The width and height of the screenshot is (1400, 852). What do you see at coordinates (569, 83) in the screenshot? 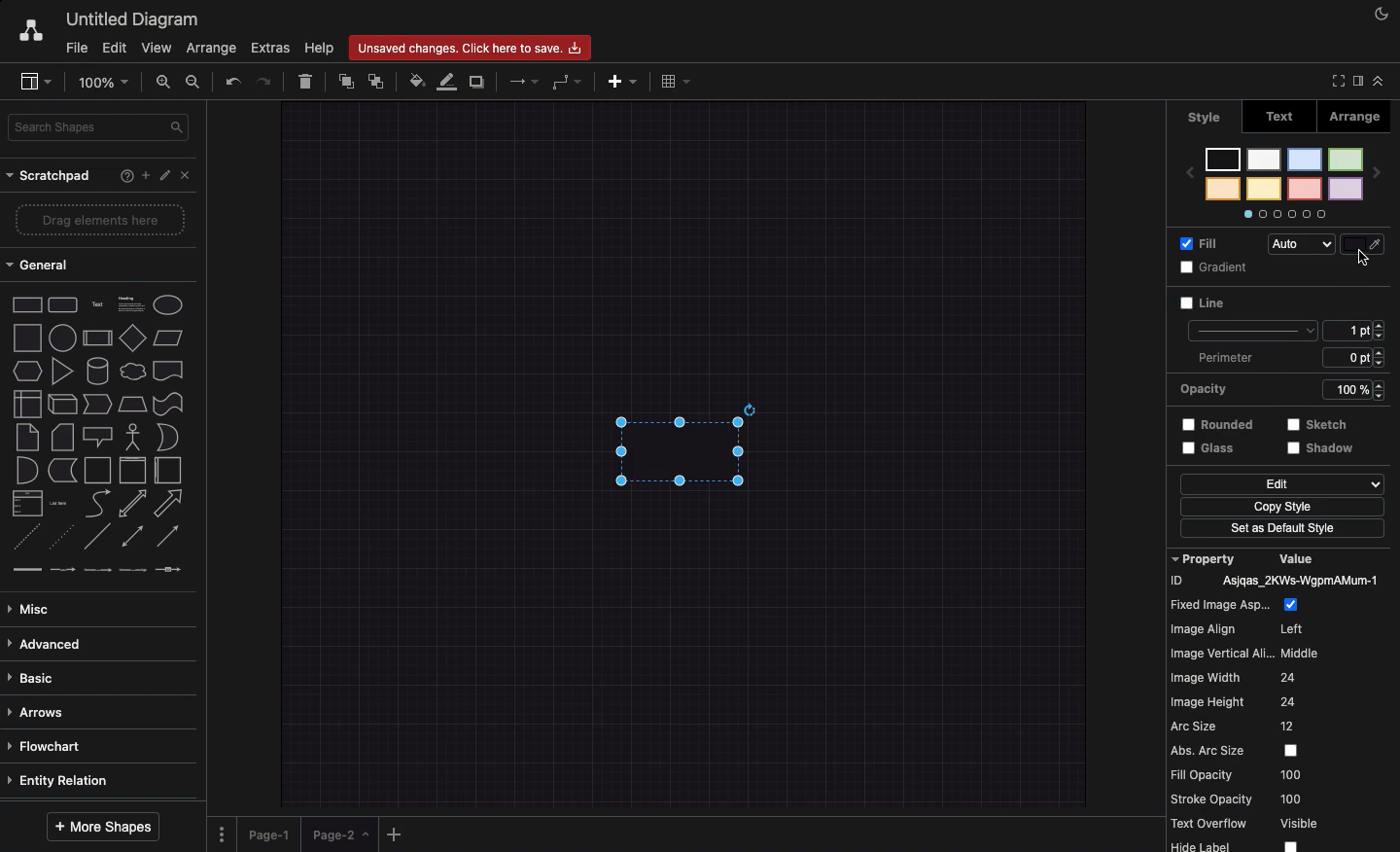
I see `Waypoints` at bounding box center [569, 83].